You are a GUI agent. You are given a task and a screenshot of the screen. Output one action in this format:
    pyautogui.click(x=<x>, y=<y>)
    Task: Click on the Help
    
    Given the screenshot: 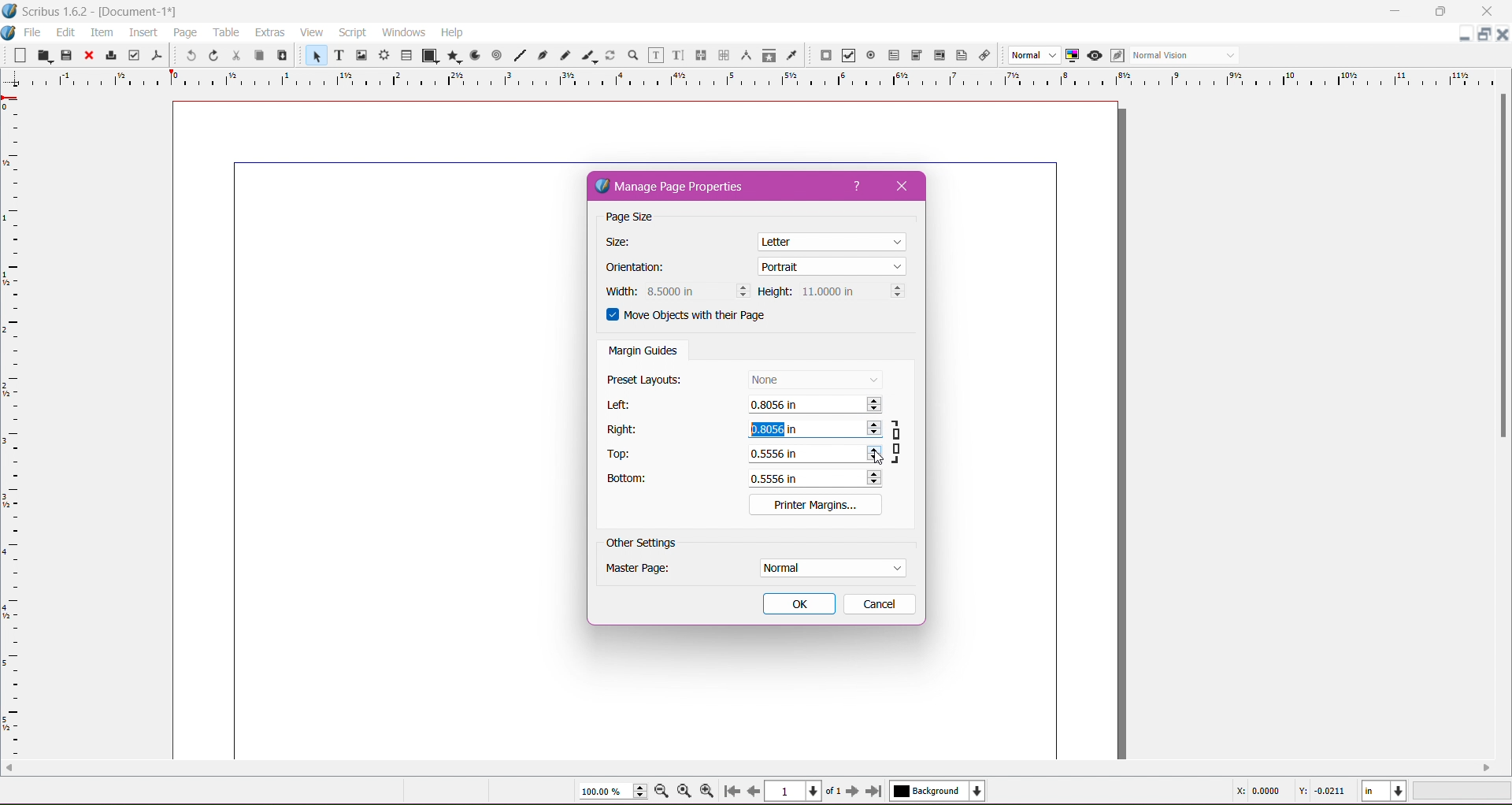 What is the action you would take?
    pyautogui.click(x=858, y=187)
    